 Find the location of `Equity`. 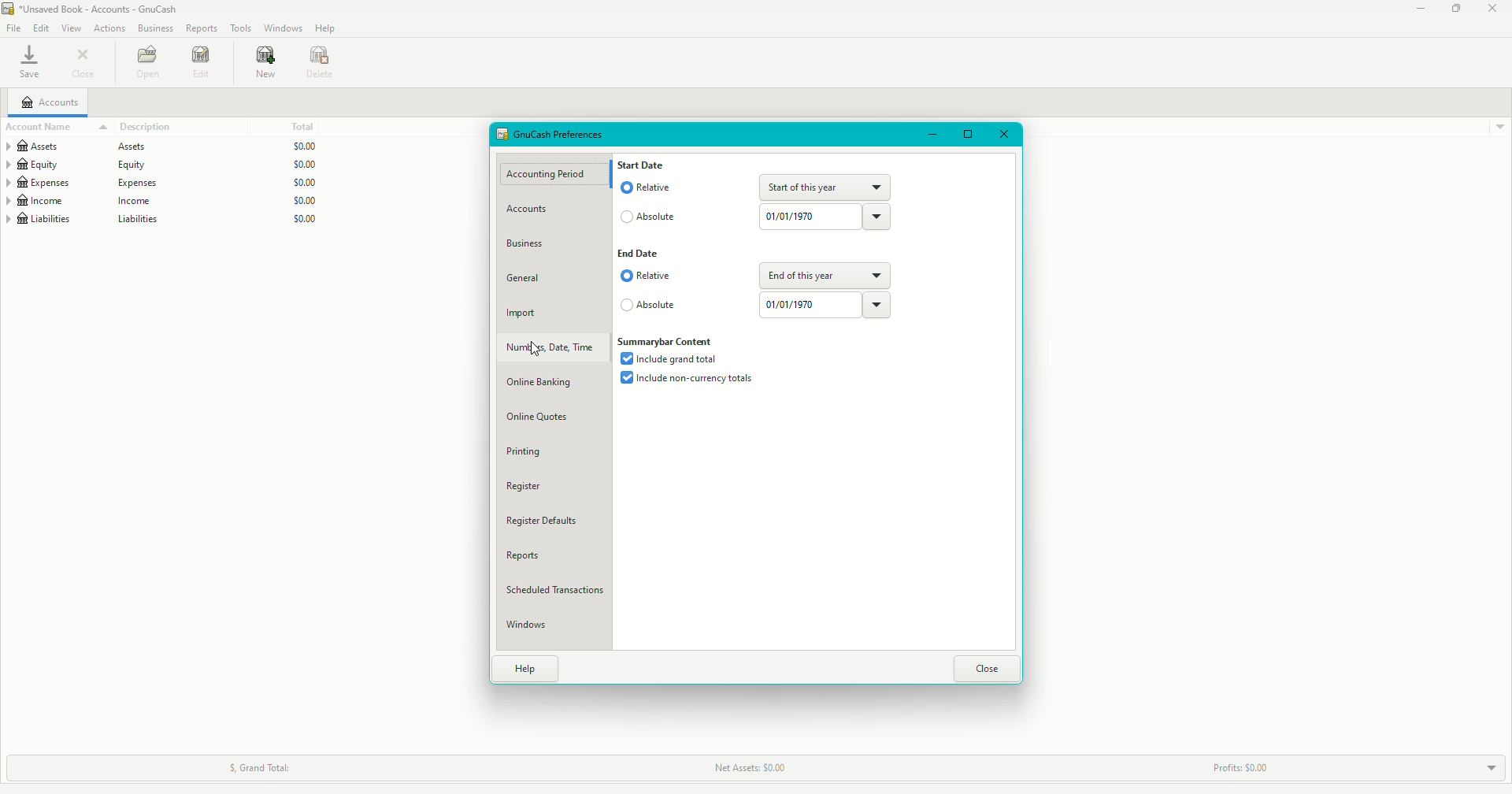

Equity is located at coordinates (162, 165).